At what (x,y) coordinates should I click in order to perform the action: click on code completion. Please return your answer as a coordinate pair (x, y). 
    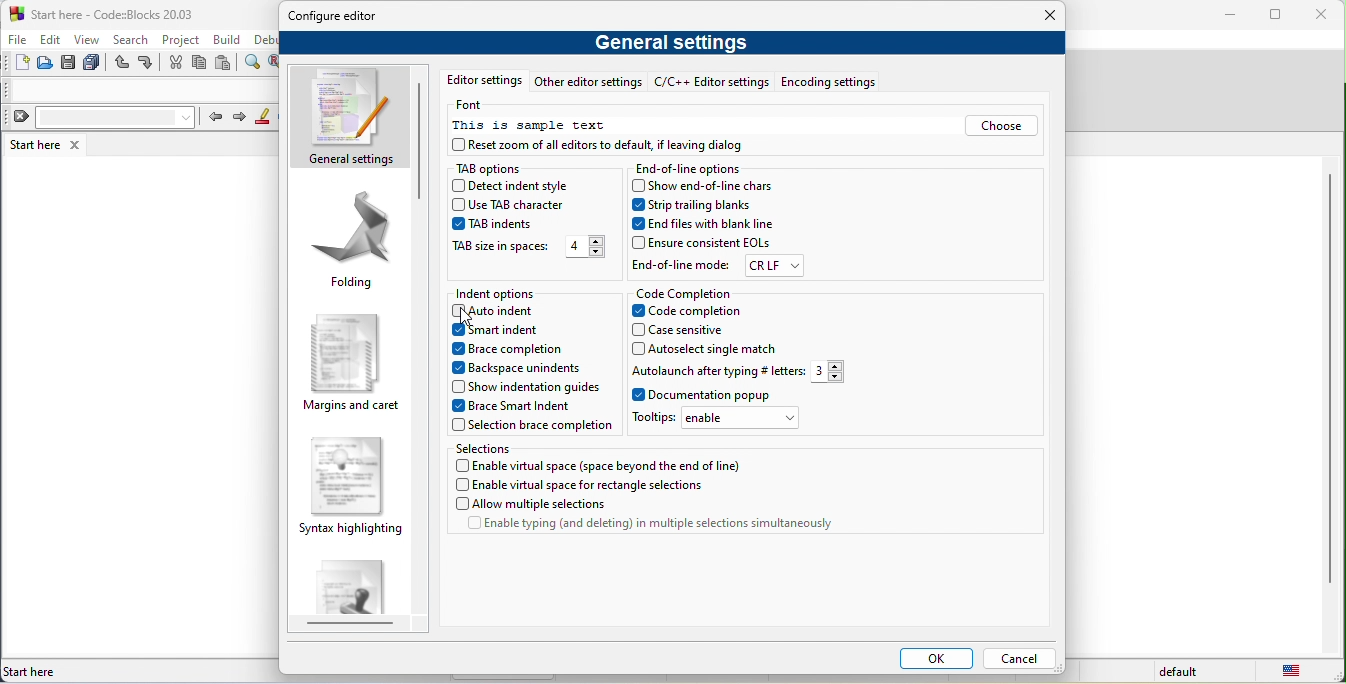
    Looking at the image, I should click on (688, 314).